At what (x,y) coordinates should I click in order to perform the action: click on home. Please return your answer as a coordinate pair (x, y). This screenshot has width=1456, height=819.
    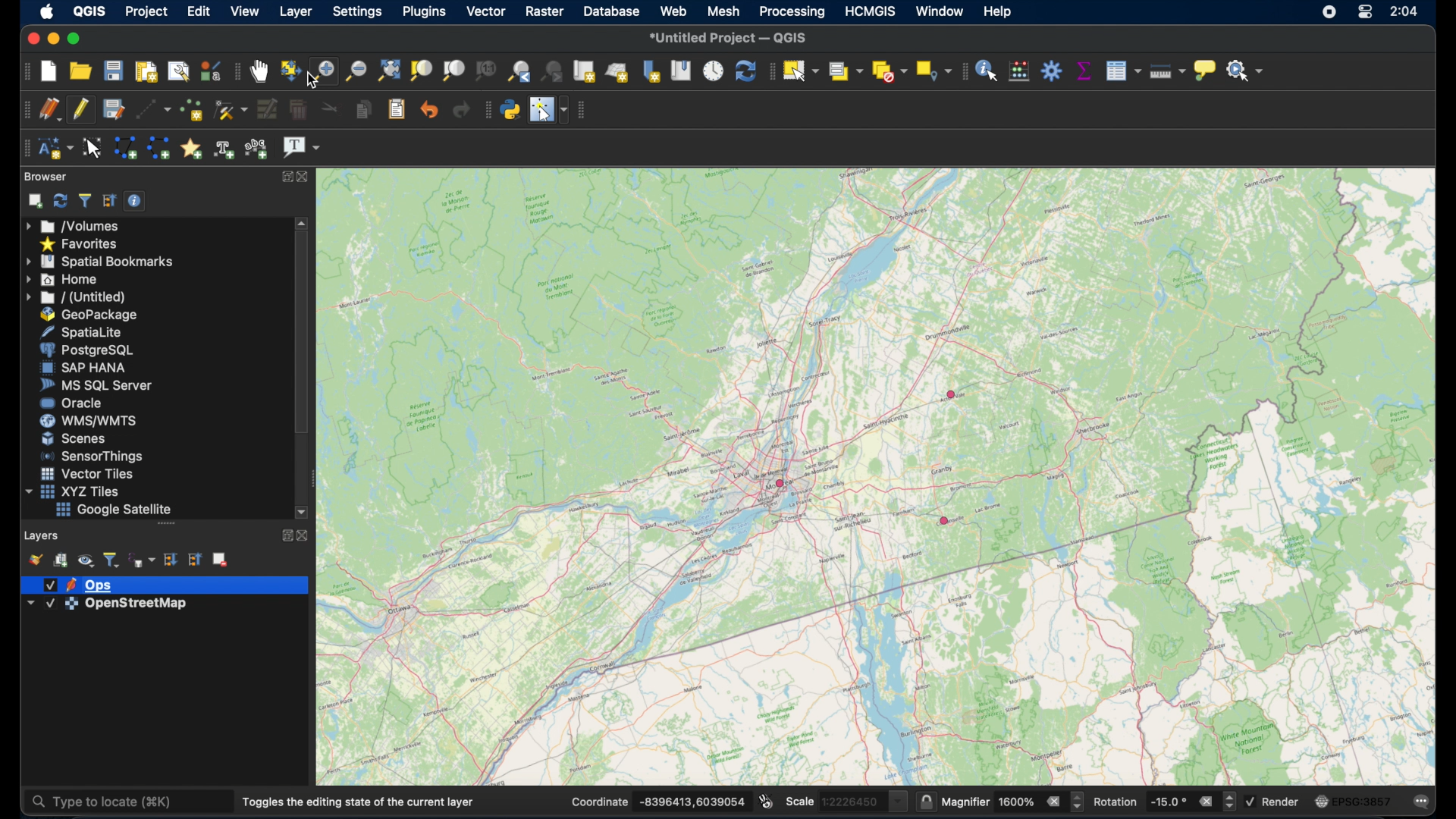
    Looking at the image, I should click on (64, 280).